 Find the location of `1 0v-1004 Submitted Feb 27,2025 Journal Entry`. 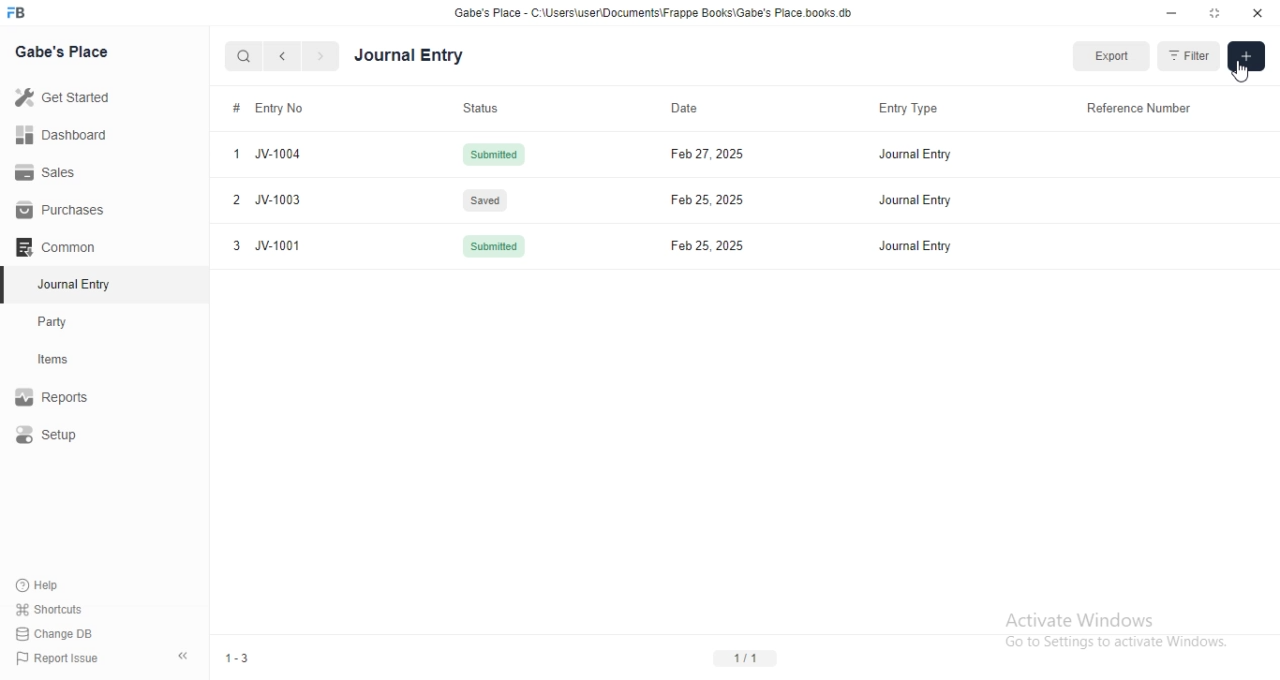

1 0v-1004 Submitted Feb 27,2025 Journal Entry is located at coordinates (737, 153).